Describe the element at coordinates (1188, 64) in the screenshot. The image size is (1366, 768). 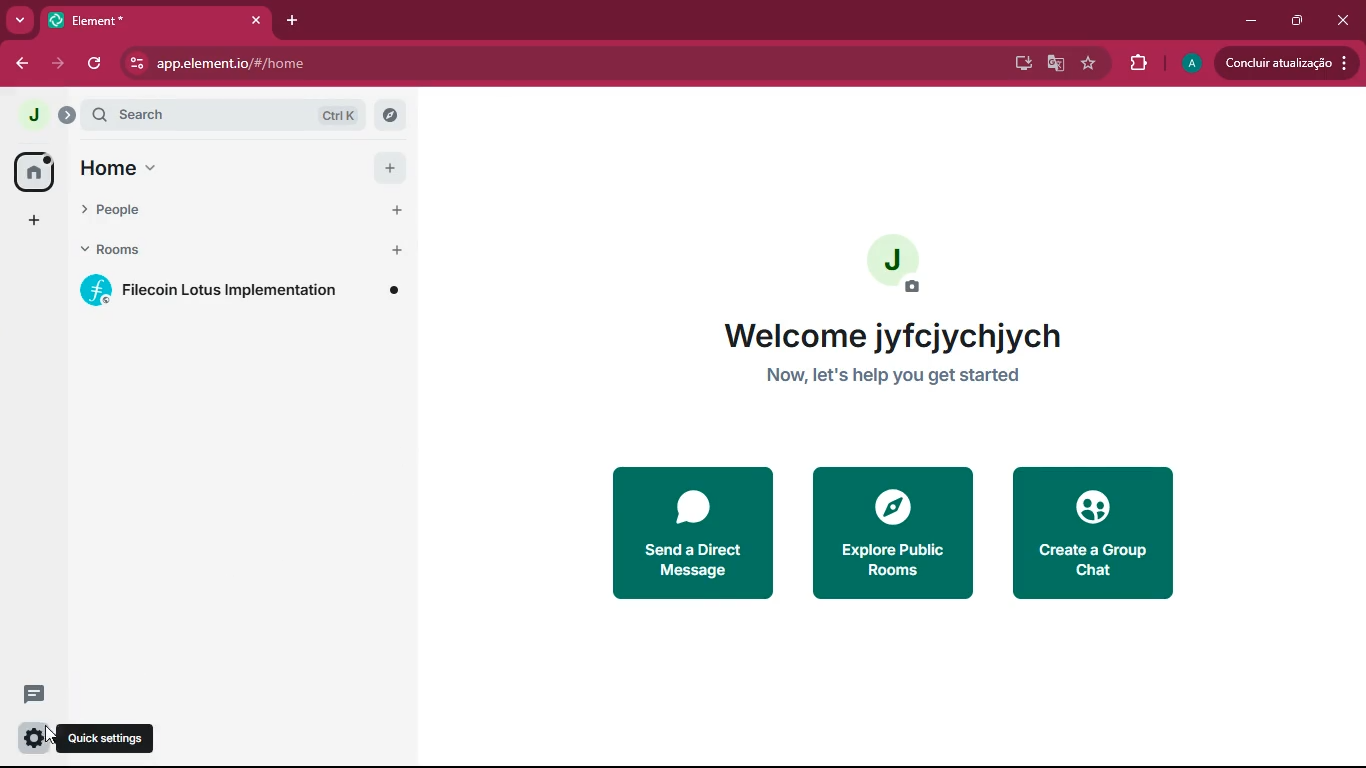
I see `profile` at that location.